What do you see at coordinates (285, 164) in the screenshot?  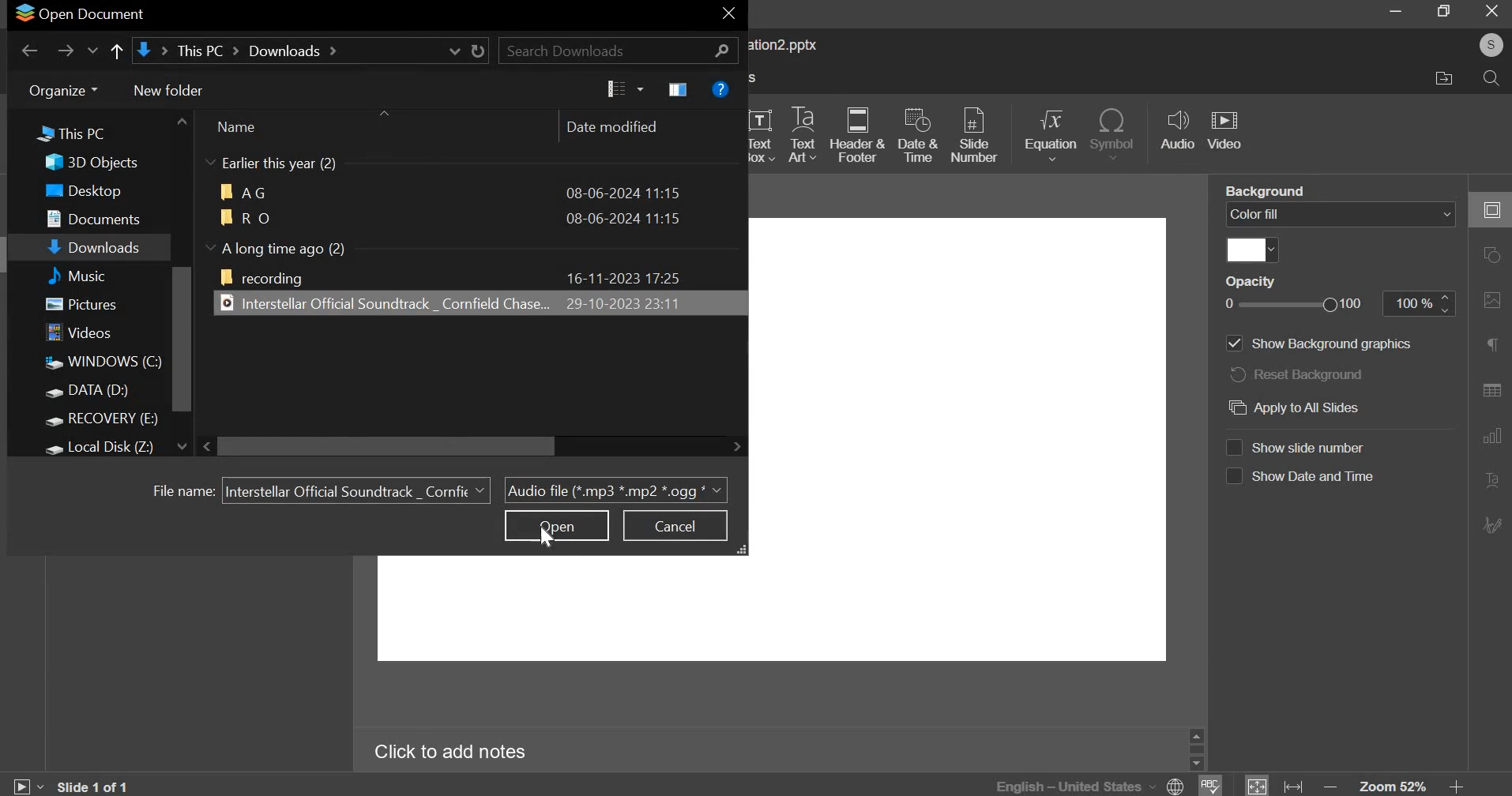 I see `earlier this year` at bounding box center [285, 164].